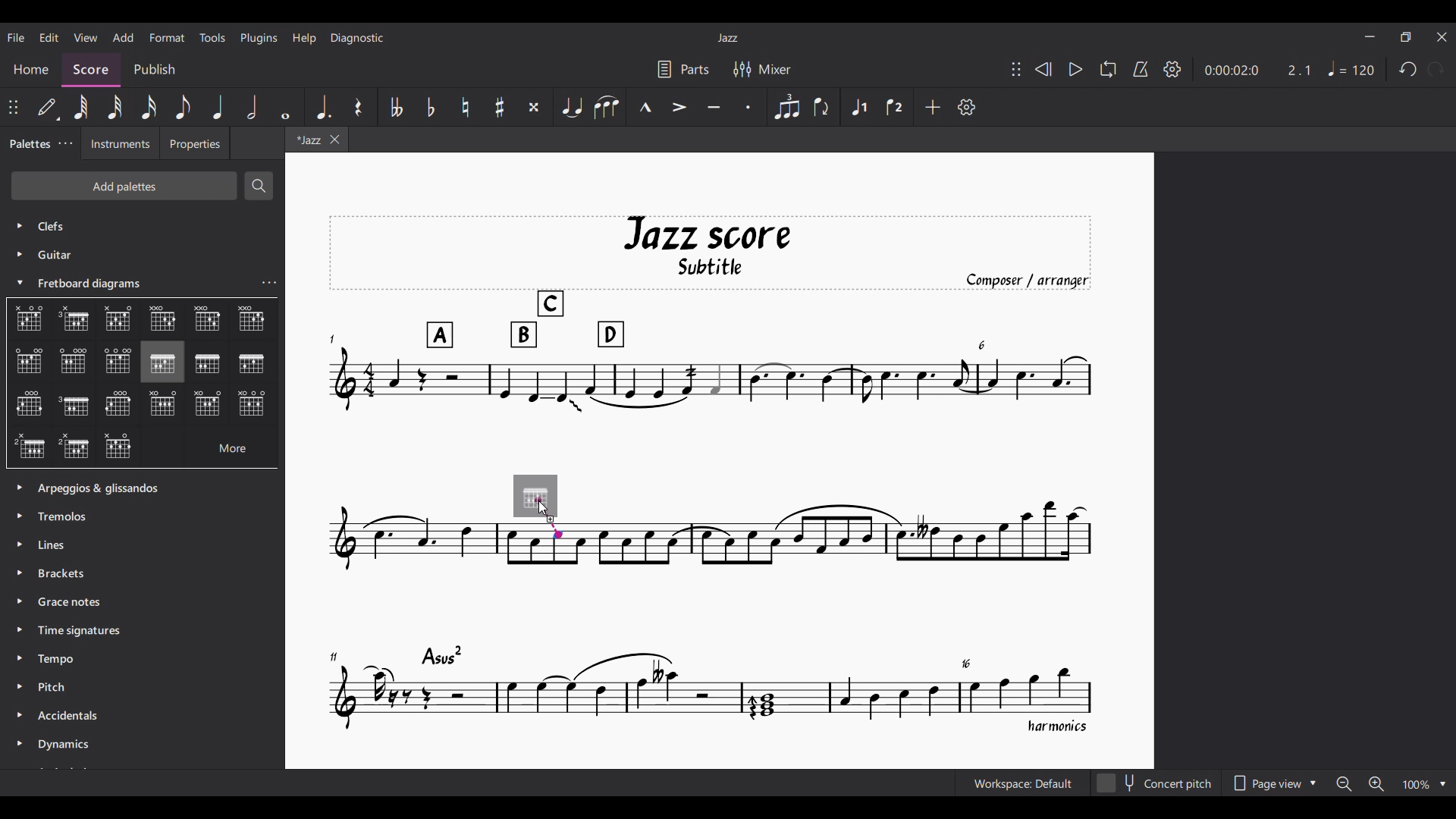 The image size is (1456, 819). I want to click on Chart 8, so click(117, 359).